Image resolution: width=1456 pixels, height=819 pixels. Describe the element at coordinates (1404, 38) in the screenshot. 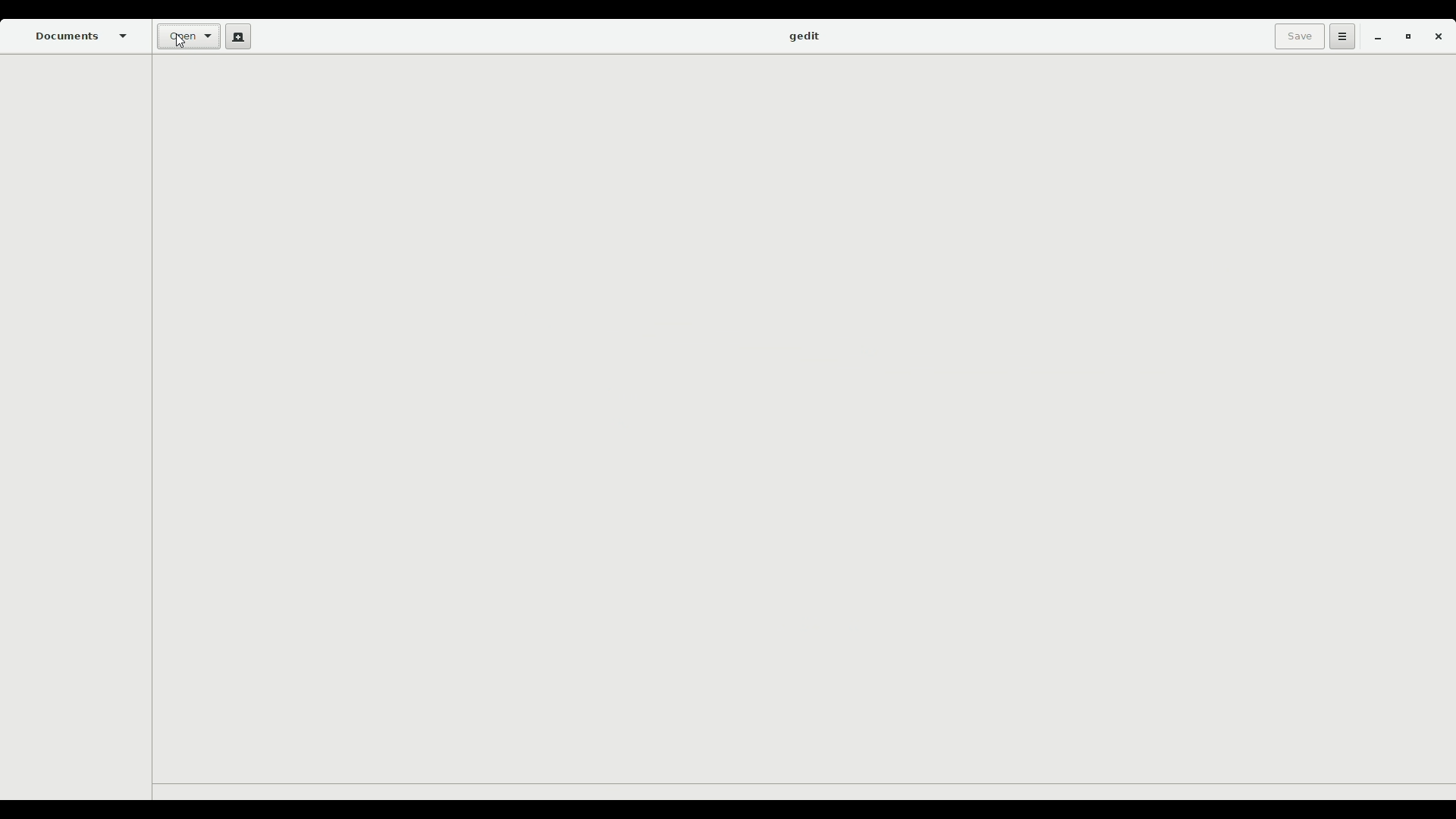

I see `Restore` at that location.